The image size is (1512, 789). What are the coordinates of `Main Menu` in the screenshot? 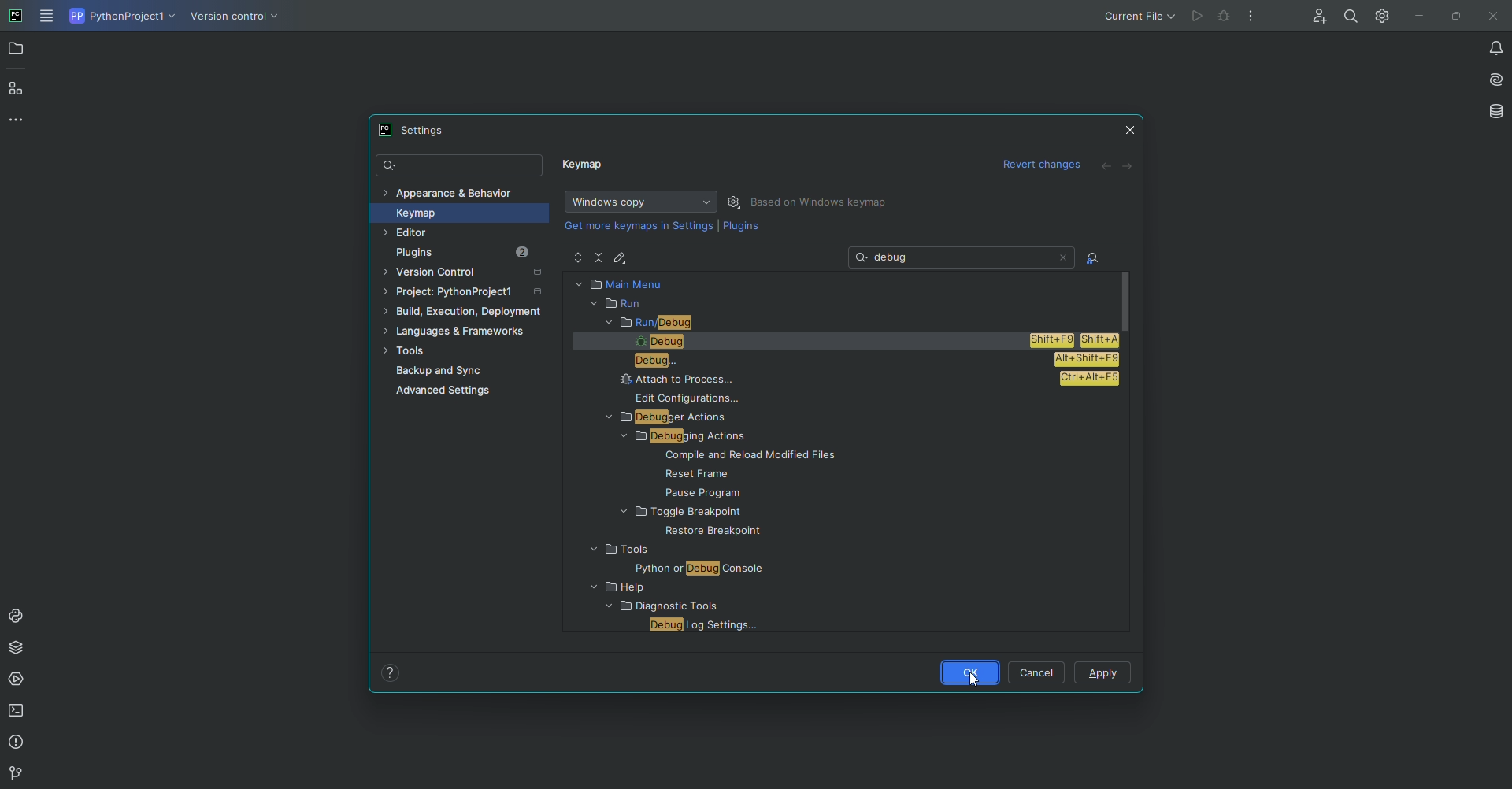 It's located at (48, 17).